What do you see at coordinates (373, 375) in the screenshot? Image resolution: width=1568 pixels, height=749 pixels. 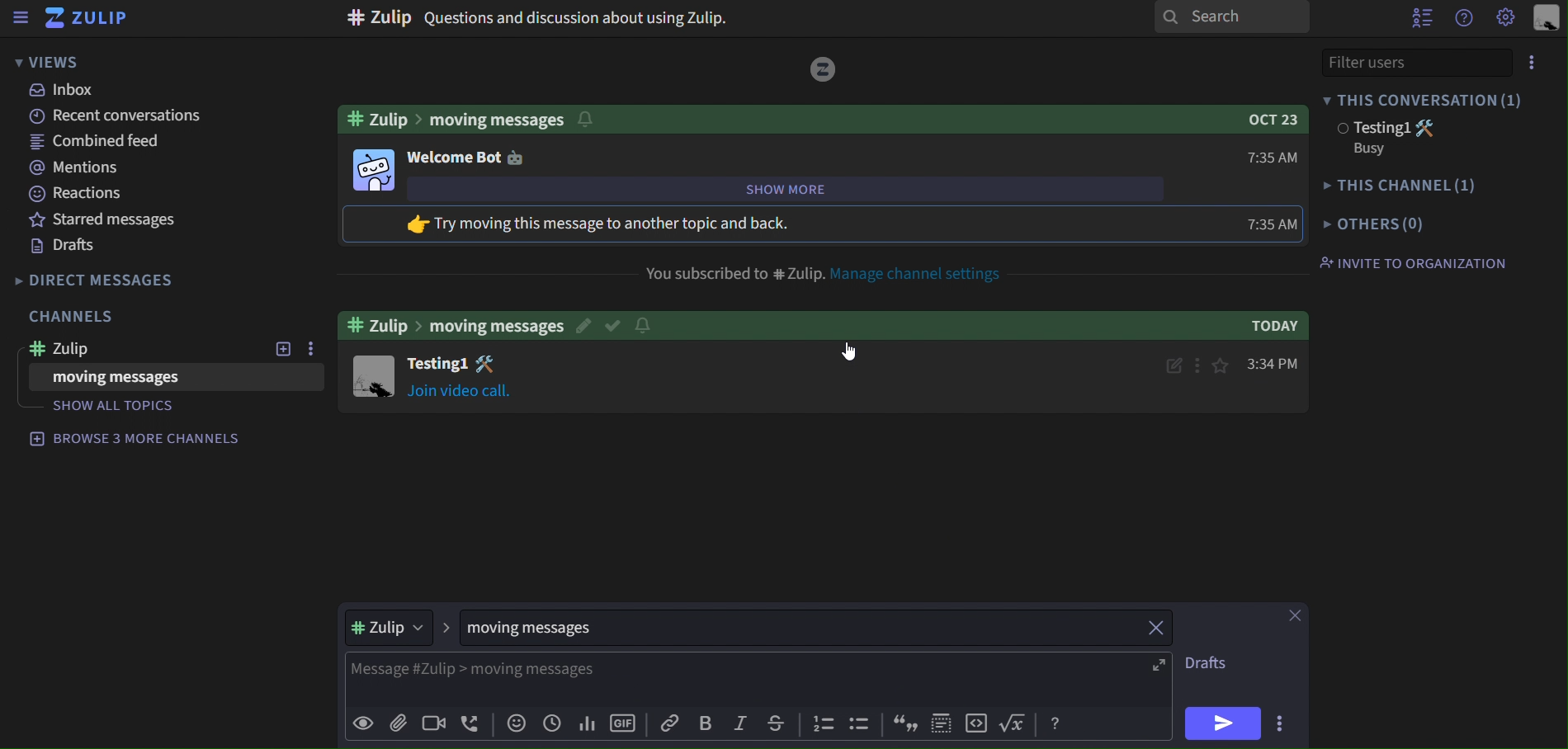 I see `Testing1 join video call` at bounding box center [373, 375].